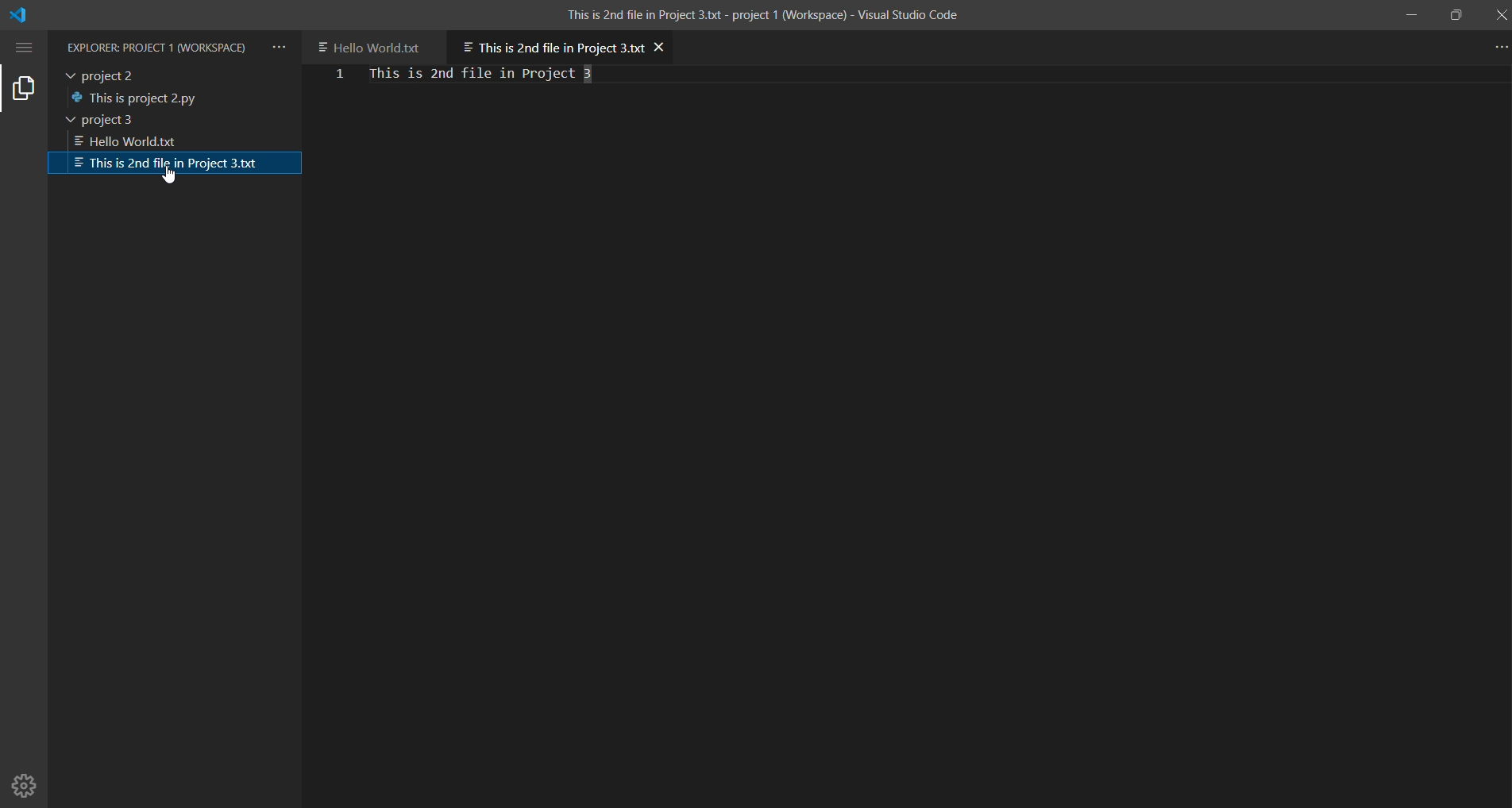  I want to click on project 3, so click(125, 121).